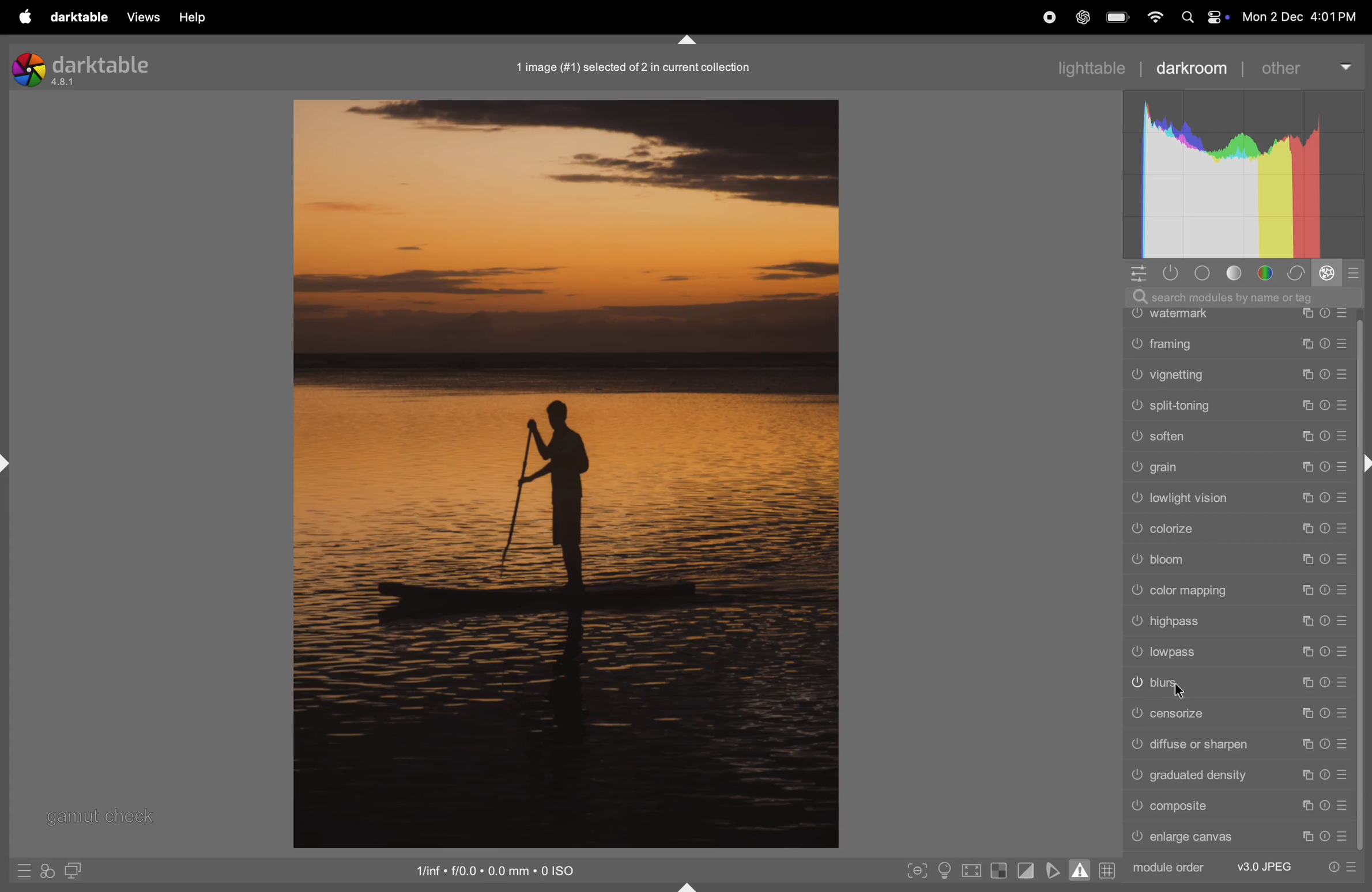  Describe the element at coordinates (1301, 13) in the screenshot. I see `date and time` at that location.